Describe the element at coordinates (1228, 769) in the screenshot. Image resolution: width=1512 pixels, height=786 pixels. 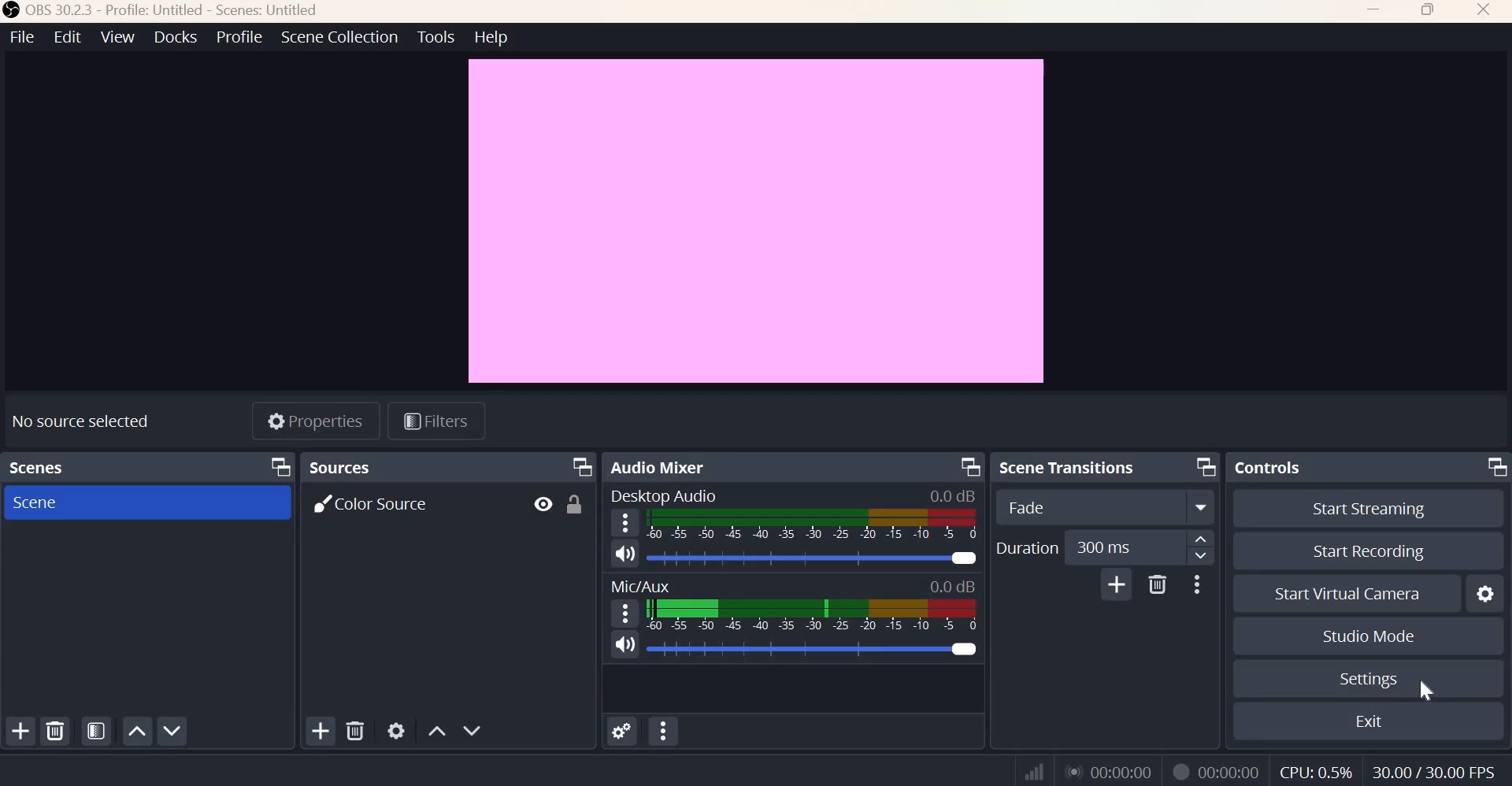
I see `Recording Timer` at that location.